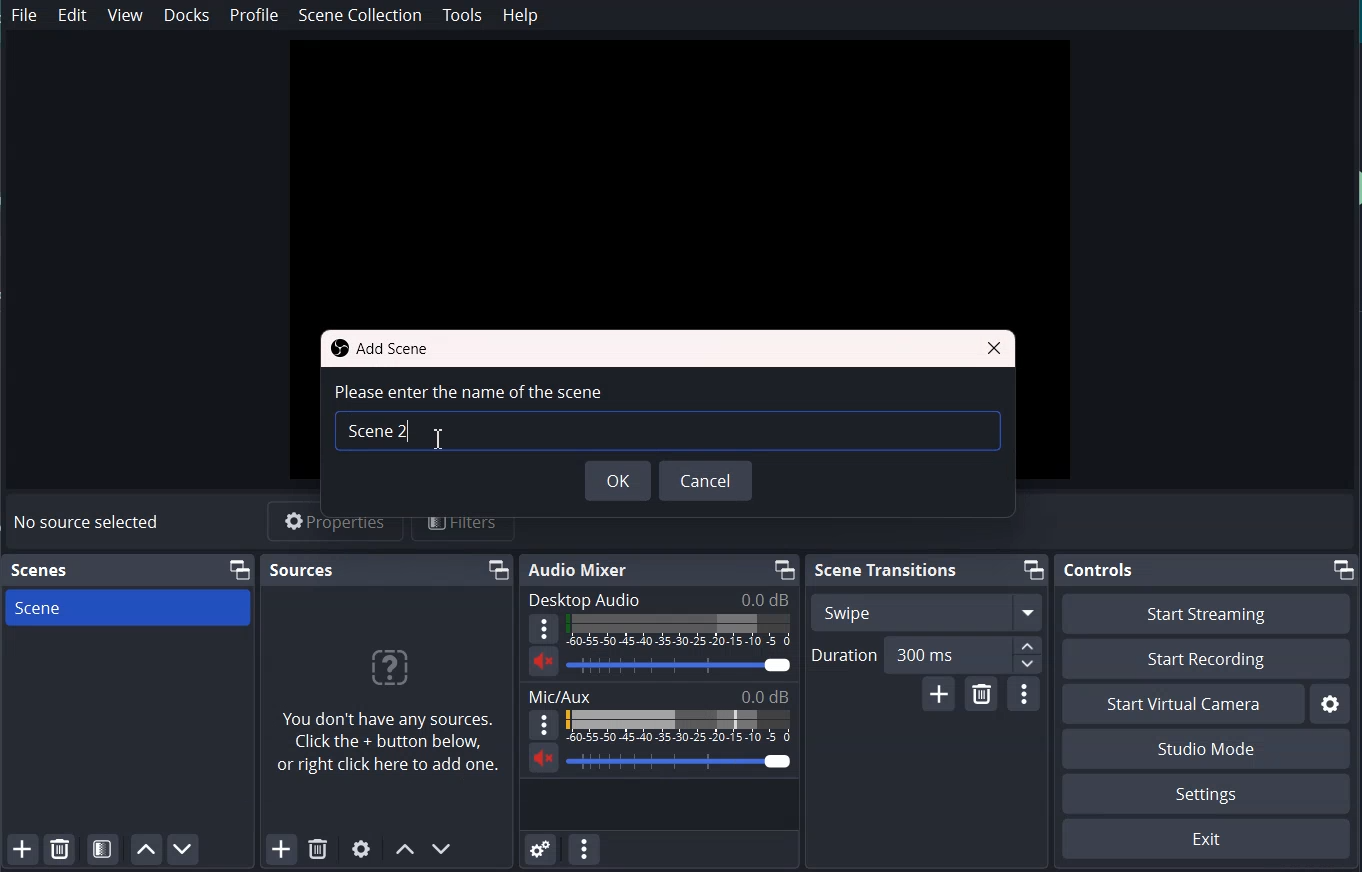 The height and width of the screenshot is (872, 1362). Describe the element at coordinates (671, 434) in the screenshot. I see `Typing window` at that location.